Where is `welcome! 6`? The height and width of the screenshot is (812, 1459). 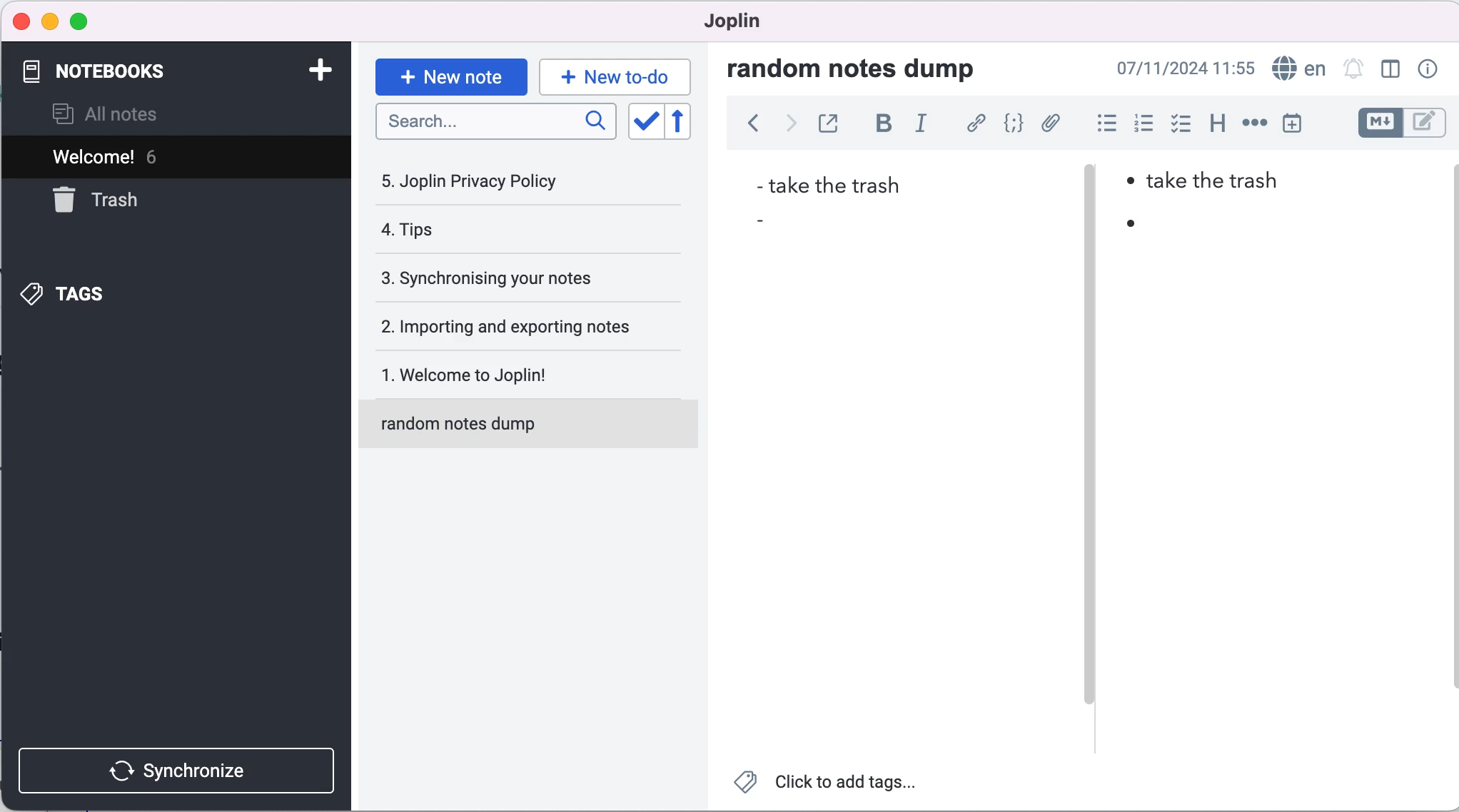 welcome! 6 is located at coordinates (138, 156).